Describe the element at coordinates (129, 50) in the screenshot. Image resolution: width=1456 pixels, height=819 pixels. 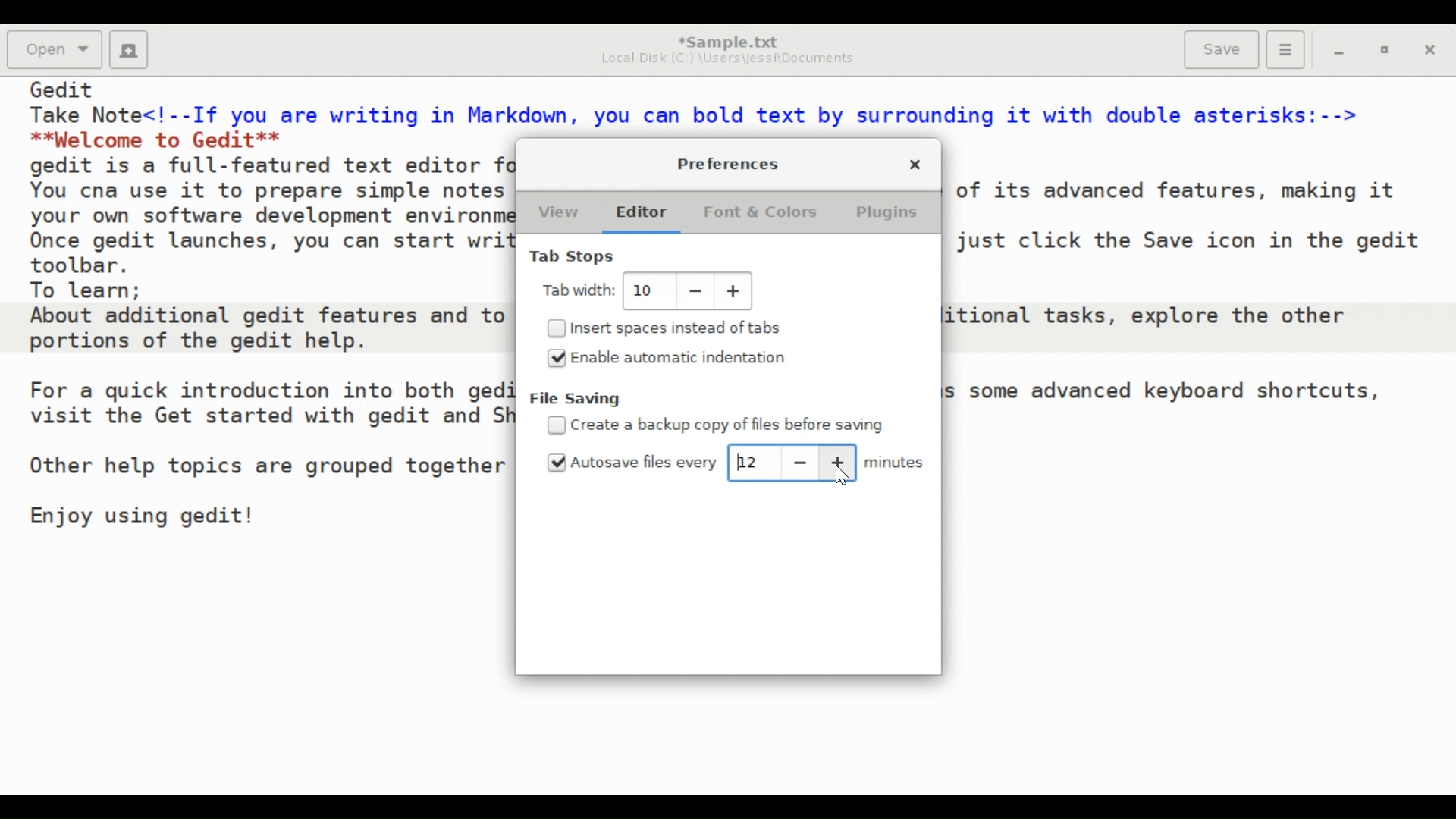
I see `Create a new document` at that location.